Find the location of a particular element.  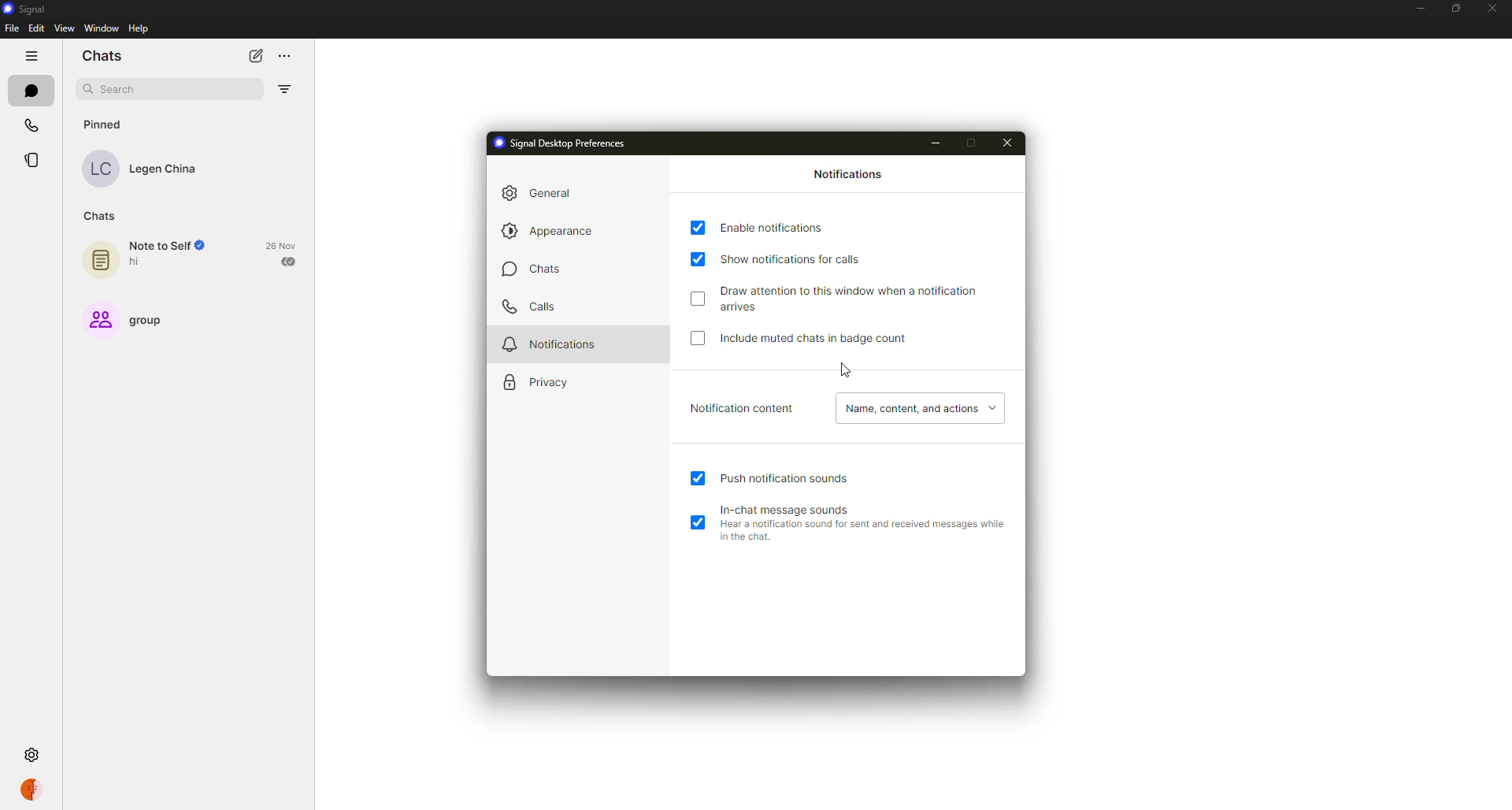

stories is located at coordinates (39, 160).